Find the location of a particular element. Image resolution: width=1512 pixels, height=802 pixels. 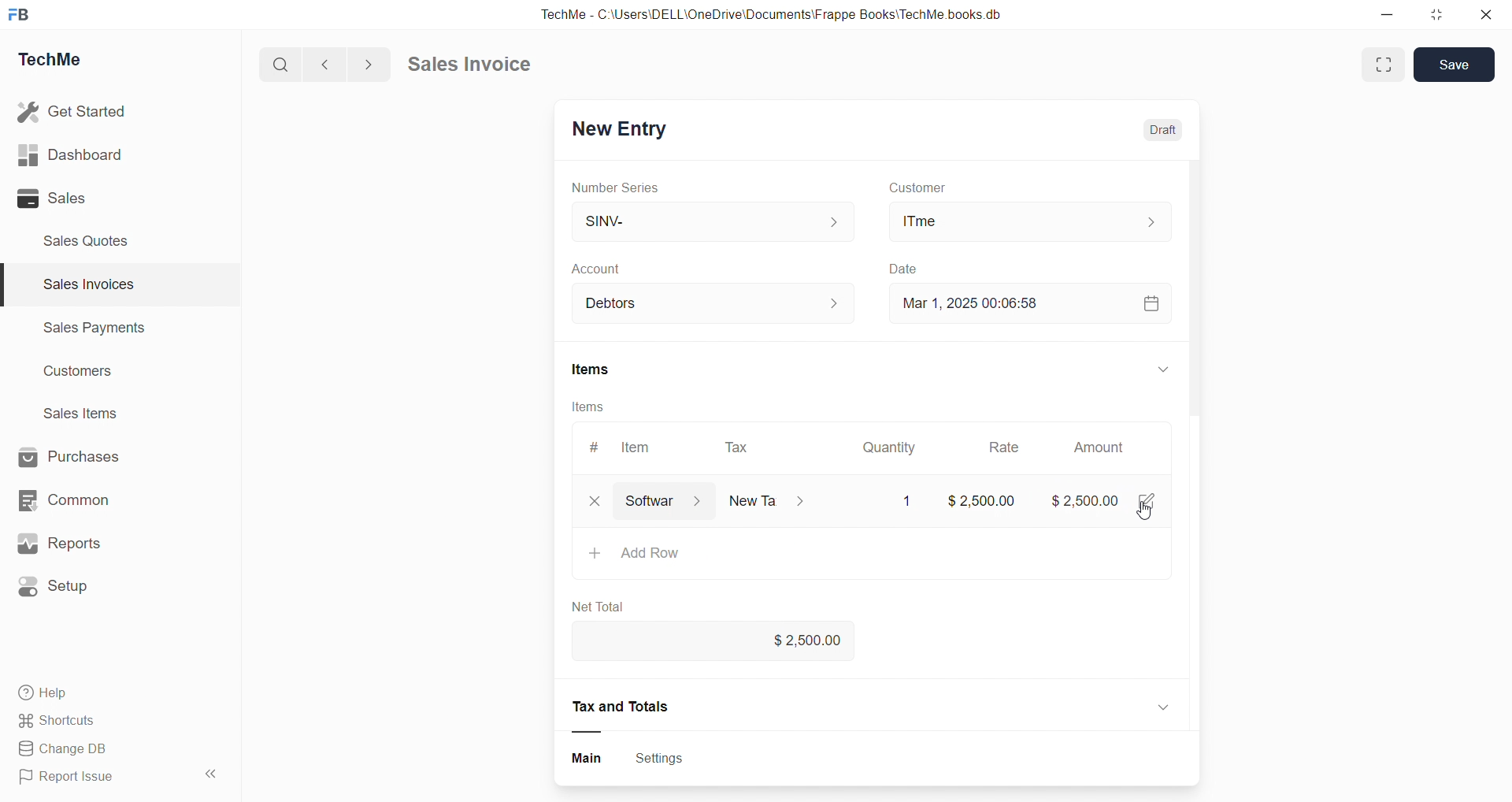

 is located at coordinates (587, 759).